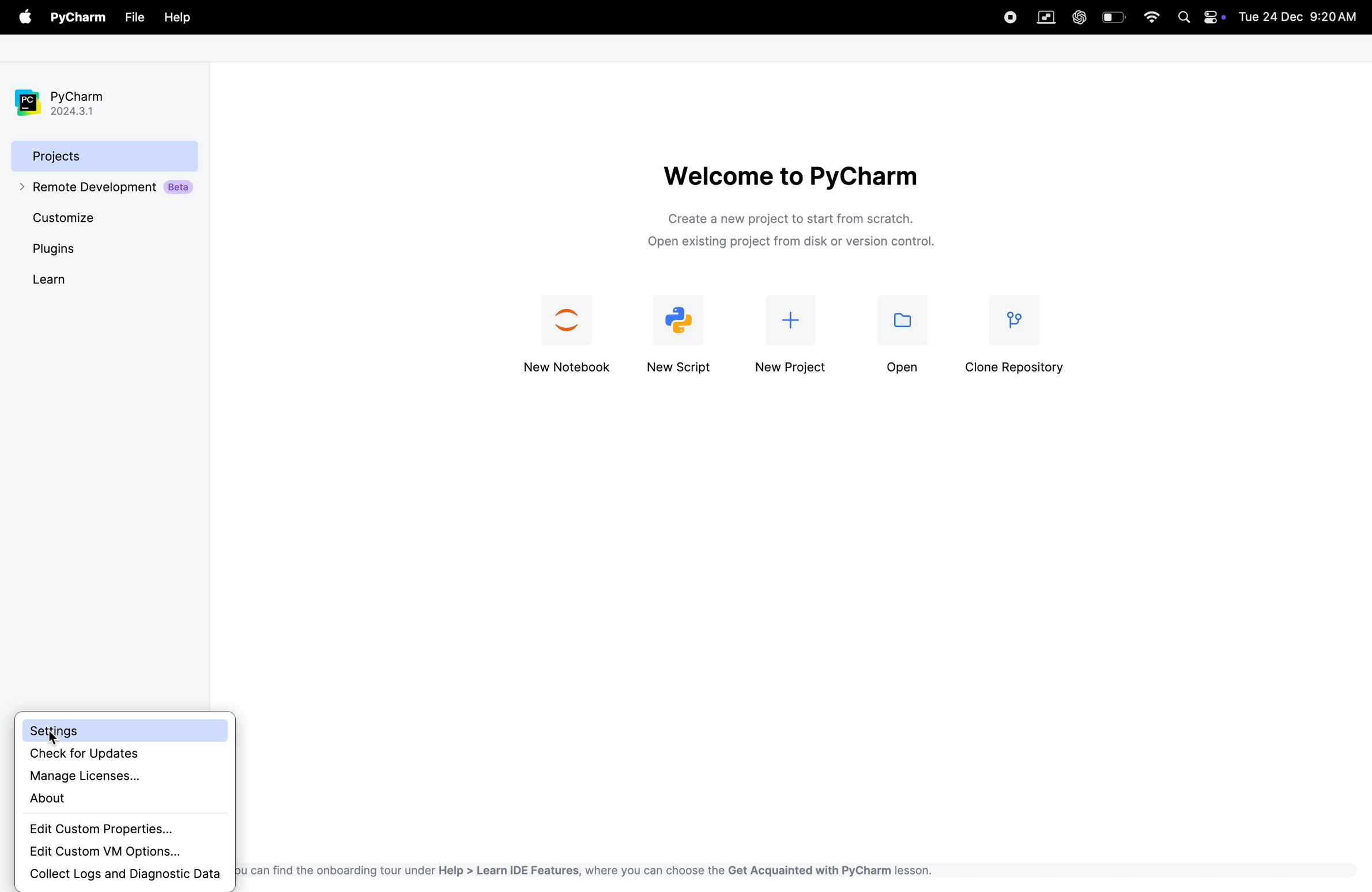  What do you see at coordinates (86, 217) in the screenshot?
I see `customize` at bounding box center [86, 217].